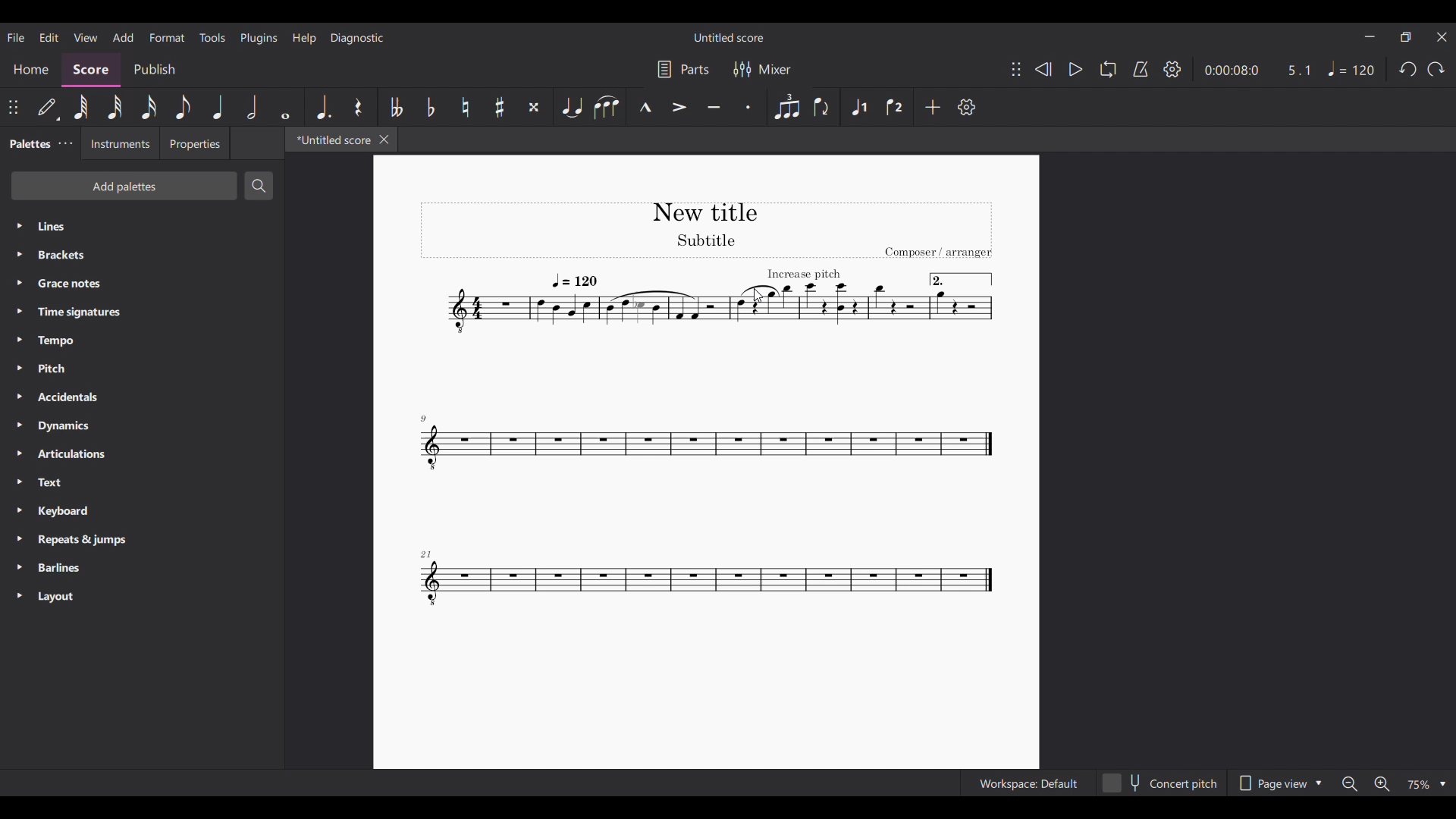 This screenshot has width=1456, height=819. I want to click on Palette settings, so click(66, 143).